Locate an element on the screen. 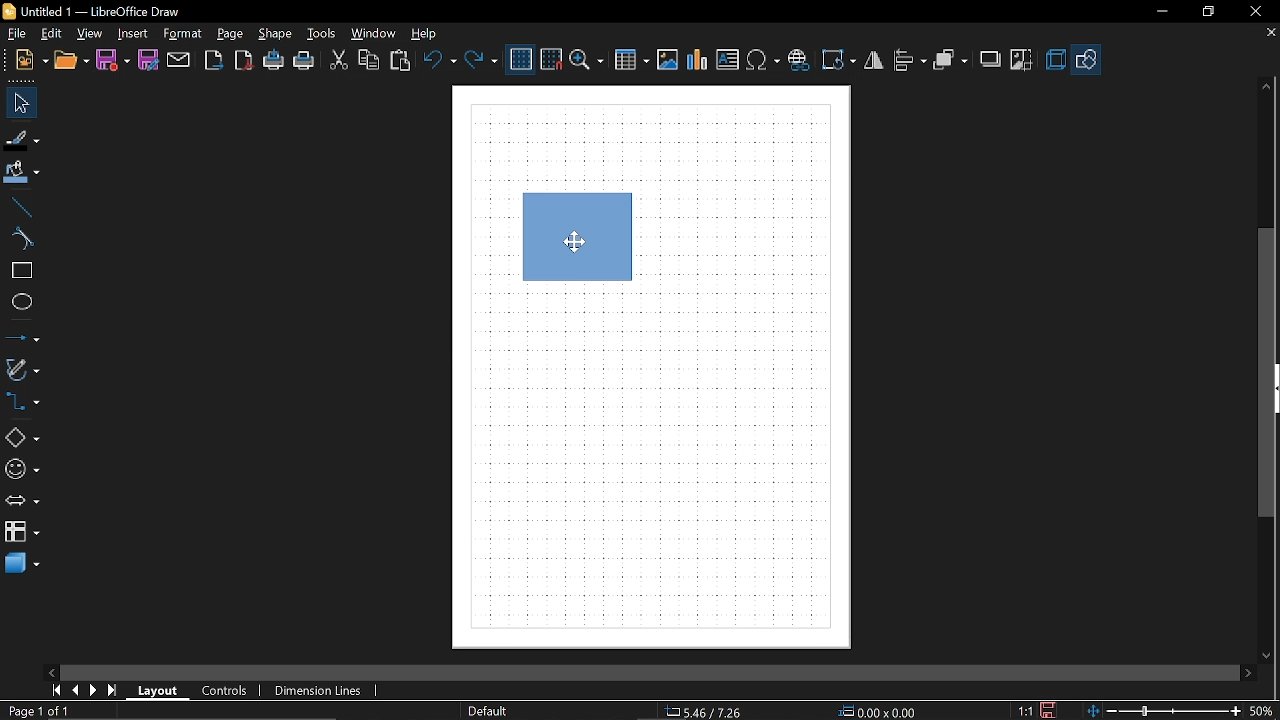 This screenshot has width=1280, height=720. MOve left is located at coordinates (51, 671).